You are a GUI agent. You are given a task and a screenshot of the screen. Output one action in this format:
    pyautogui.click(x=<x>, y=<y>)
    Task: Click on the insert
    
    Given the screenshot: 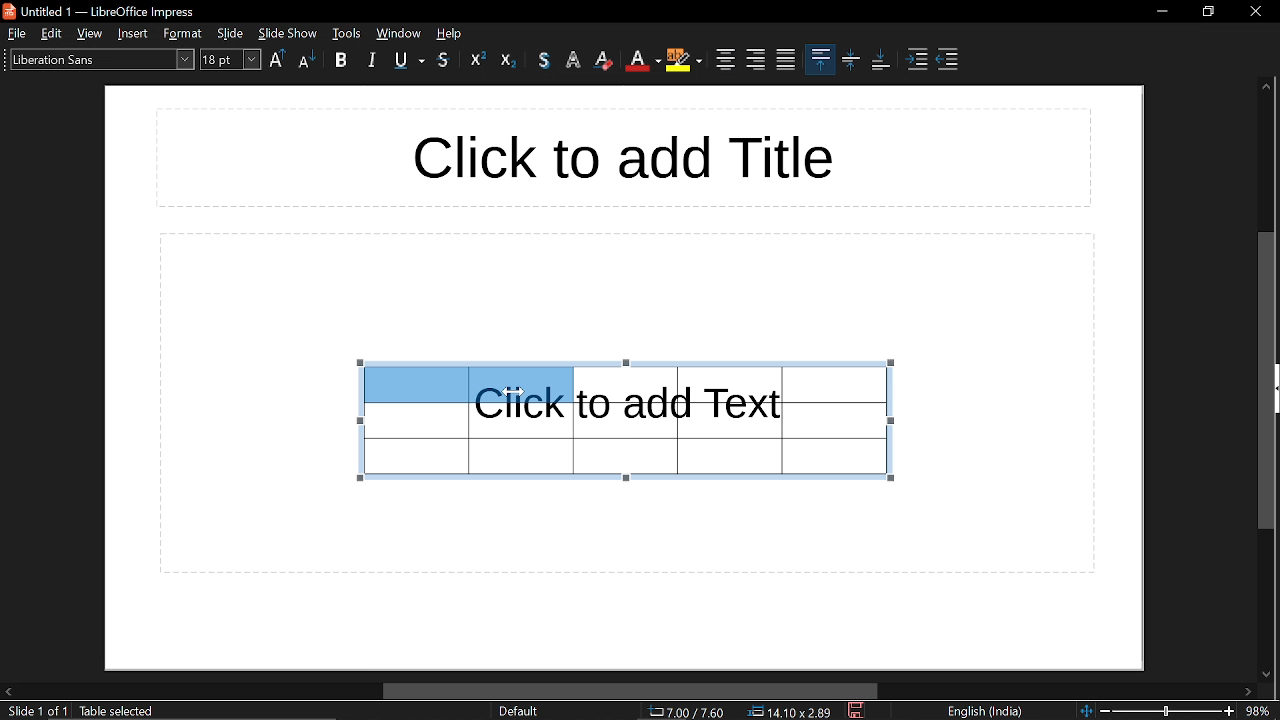 What is the action you would take?
    pyautogui.click(x=134, y=33)
    